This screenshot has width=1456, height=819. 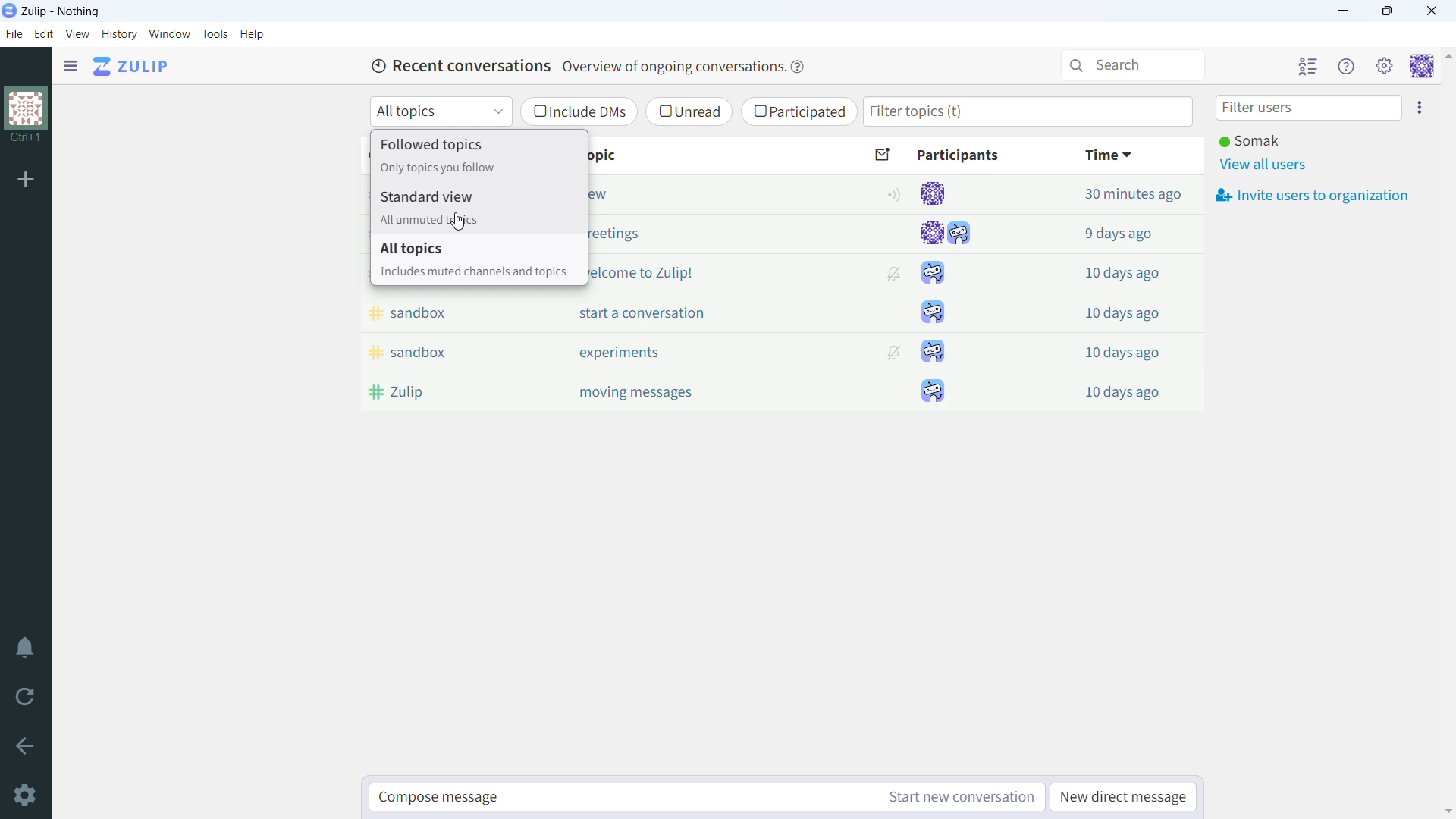 I want to click on minimize, so click(x=1344, y=11).